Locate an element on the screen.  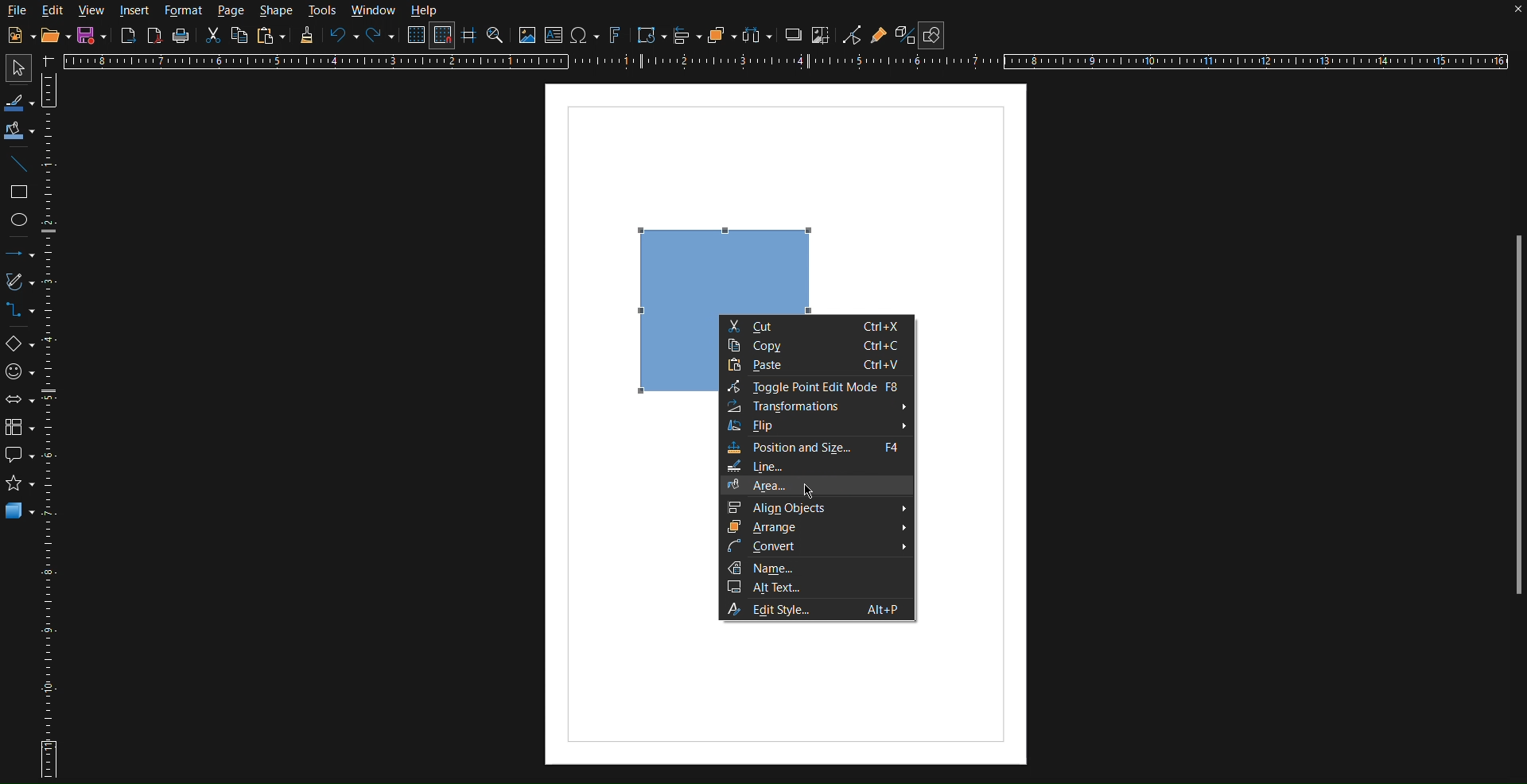
Transformations is located at coordinates (817, 407).